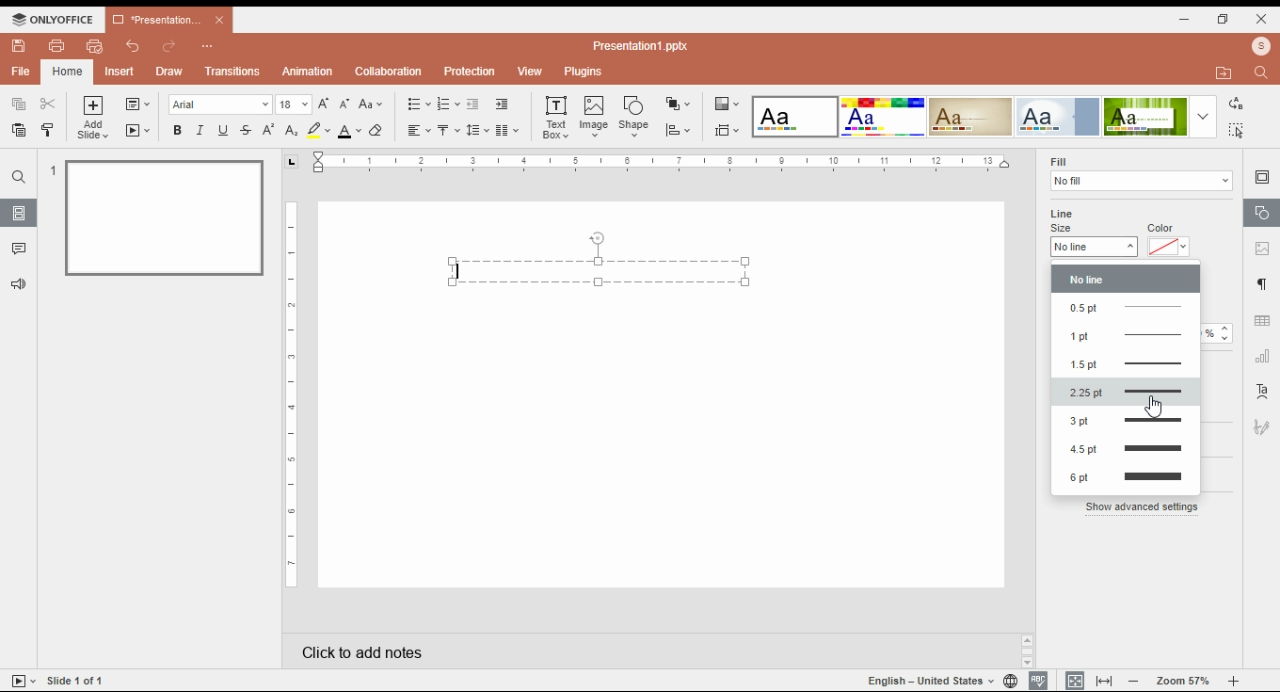 The width and height of the screenshot is (1280, 692). Describe the element at coordinates (122, 71) in the screenshot. I see `insert` at that location.